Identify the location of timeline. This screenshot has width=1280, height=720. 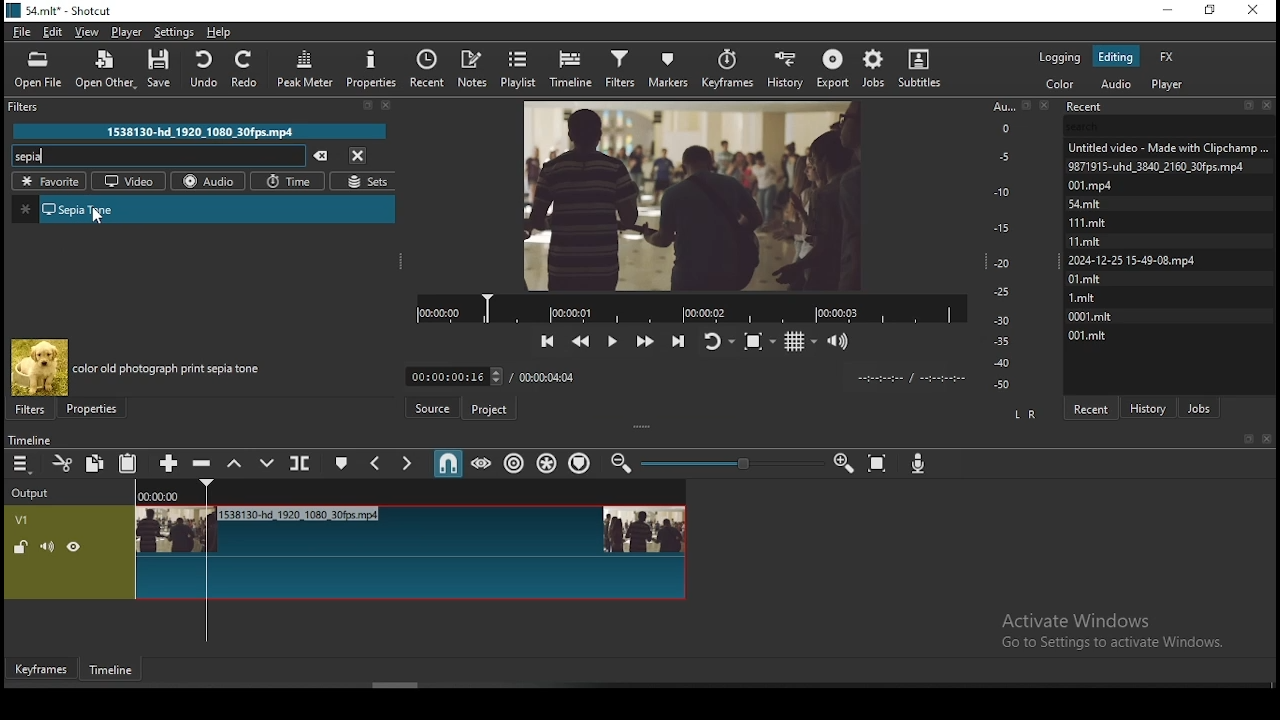
(28, 441).